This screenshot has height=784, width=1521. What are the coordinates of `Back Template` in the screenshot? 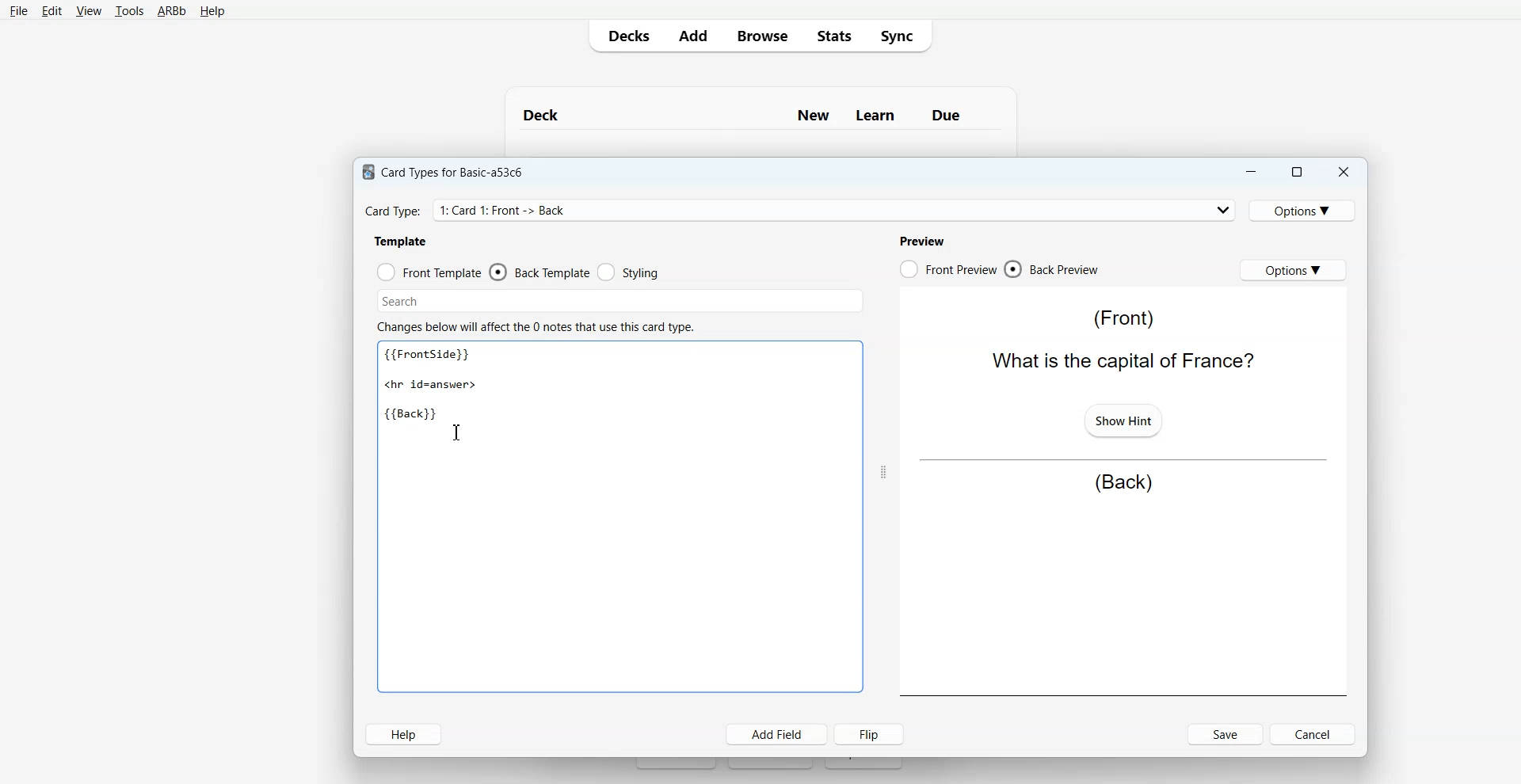 It's located at (539, 272).